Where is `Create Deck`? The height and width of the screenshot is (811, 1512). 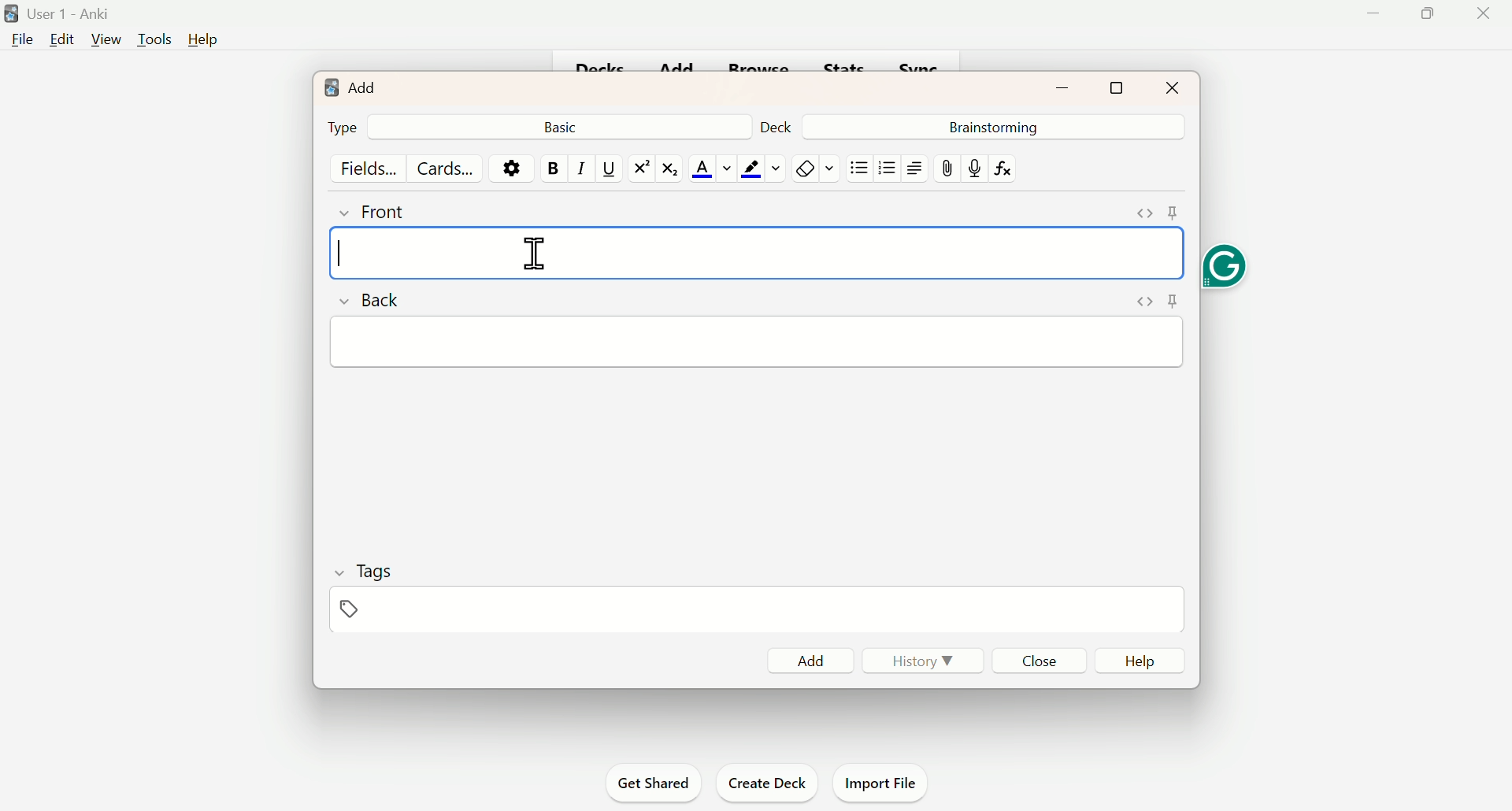 Create Deck is located at coordinates (764, 781).